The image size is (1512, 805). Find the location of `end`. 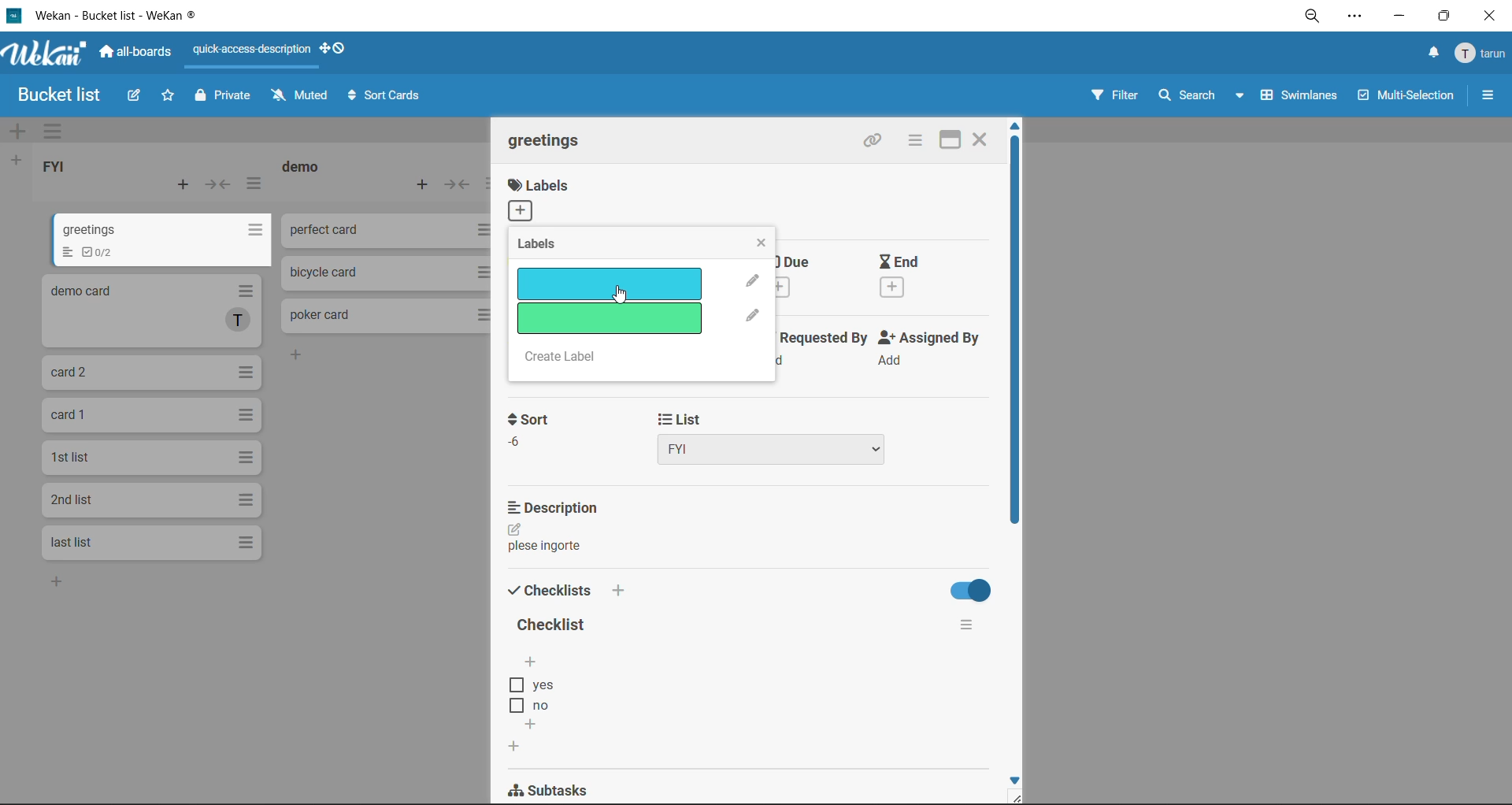

end is located at coordinates (917, 280).